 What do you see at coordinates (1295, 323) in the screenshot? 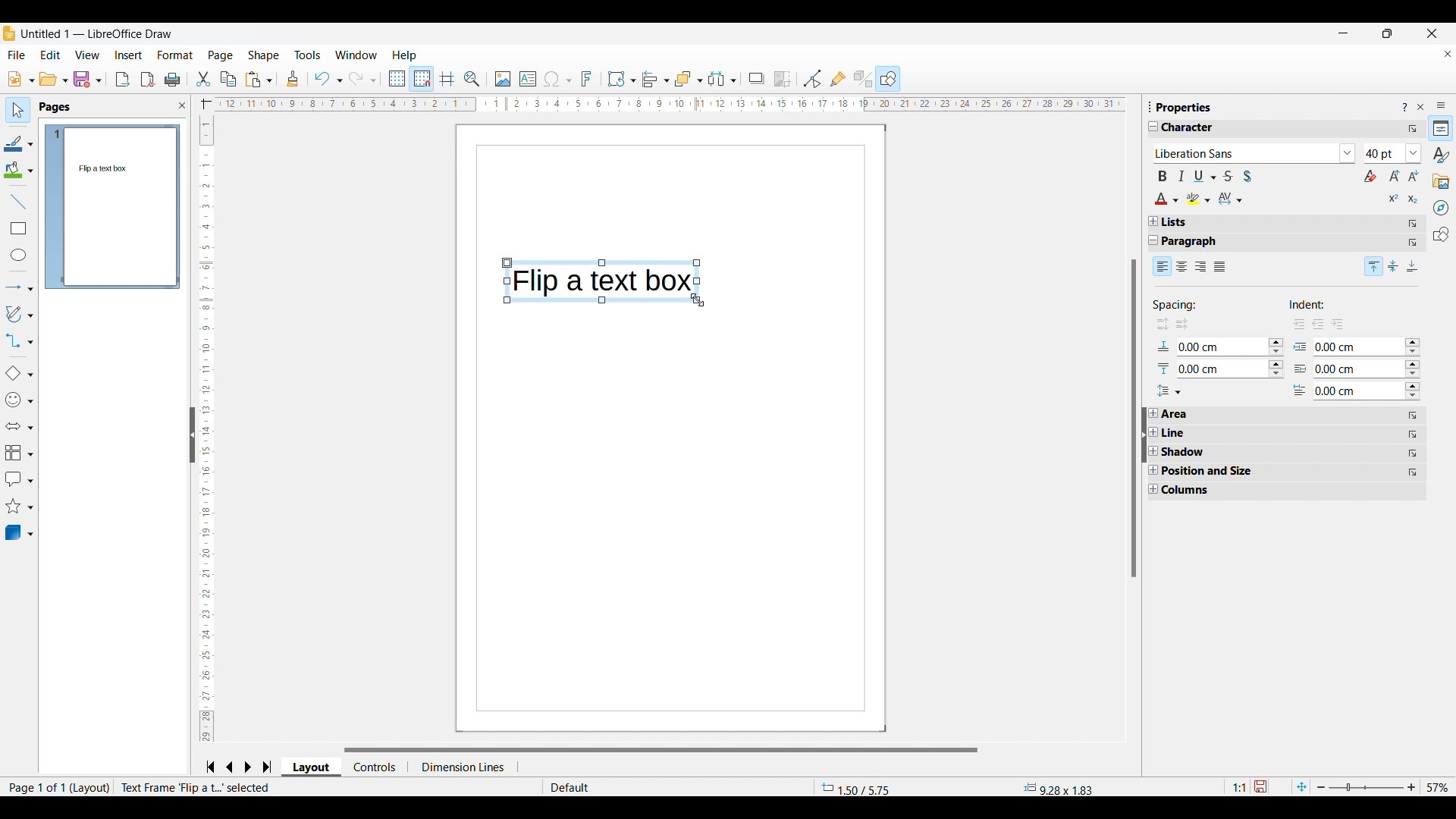
I see `right indent` at bounding box center [1295, 323].